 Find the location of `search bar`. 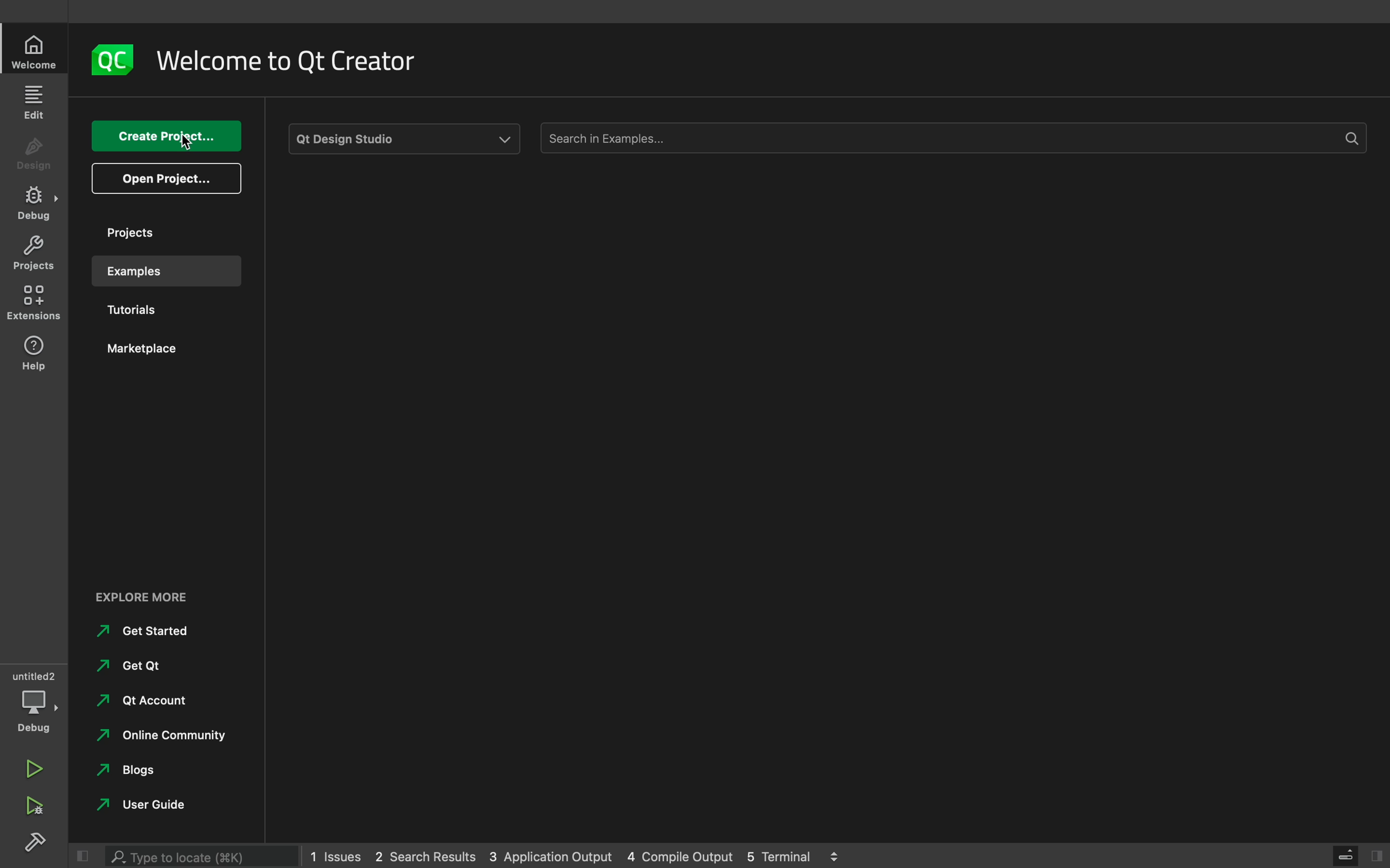

search bar is located at coordinates (950, 136).